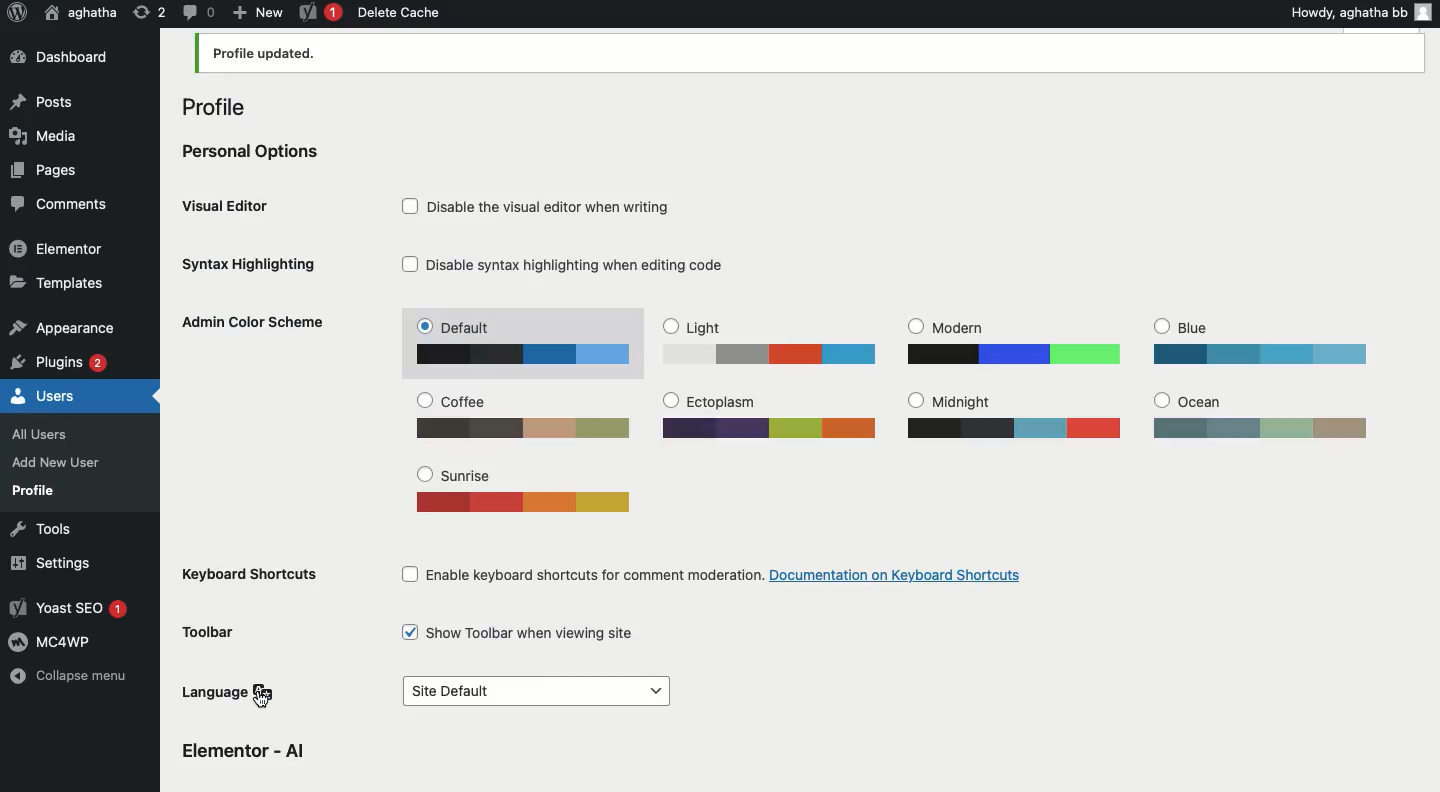 The height and width of the screenshot is (792, 1440). I want to click on Logo, so click(16, 13).